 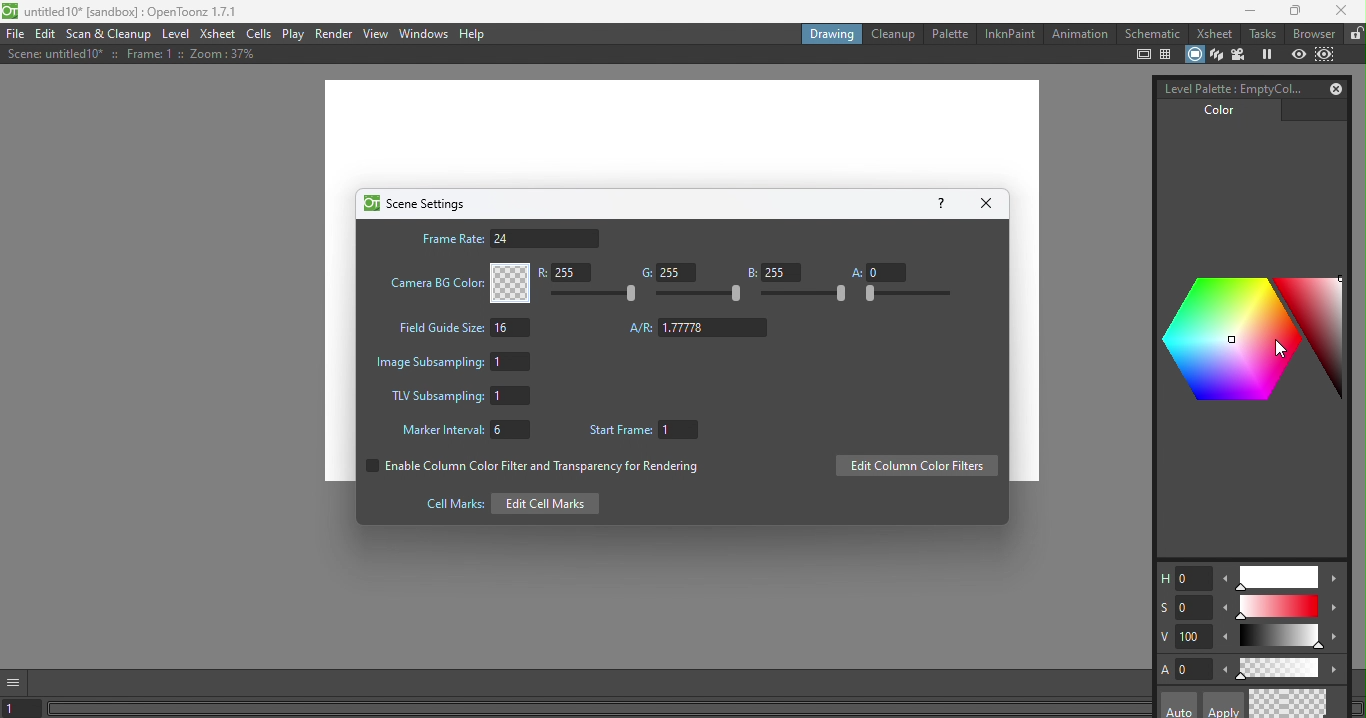 What do you see at coordinates (177, 36) in the screenshot?
I see `Level` at bounding box center [177, 36].